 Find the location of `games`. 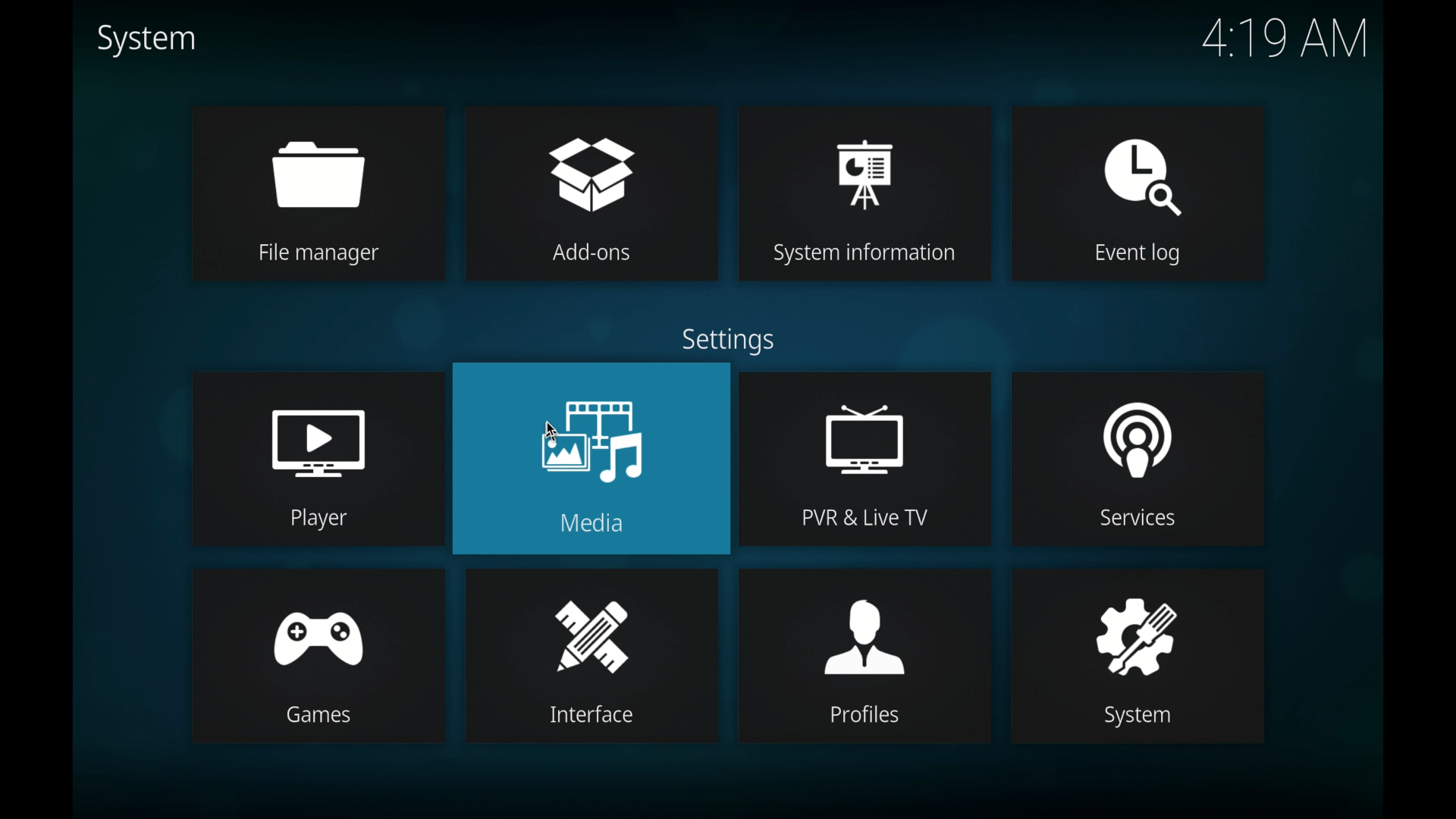

games is located at coordinates (320, 657).